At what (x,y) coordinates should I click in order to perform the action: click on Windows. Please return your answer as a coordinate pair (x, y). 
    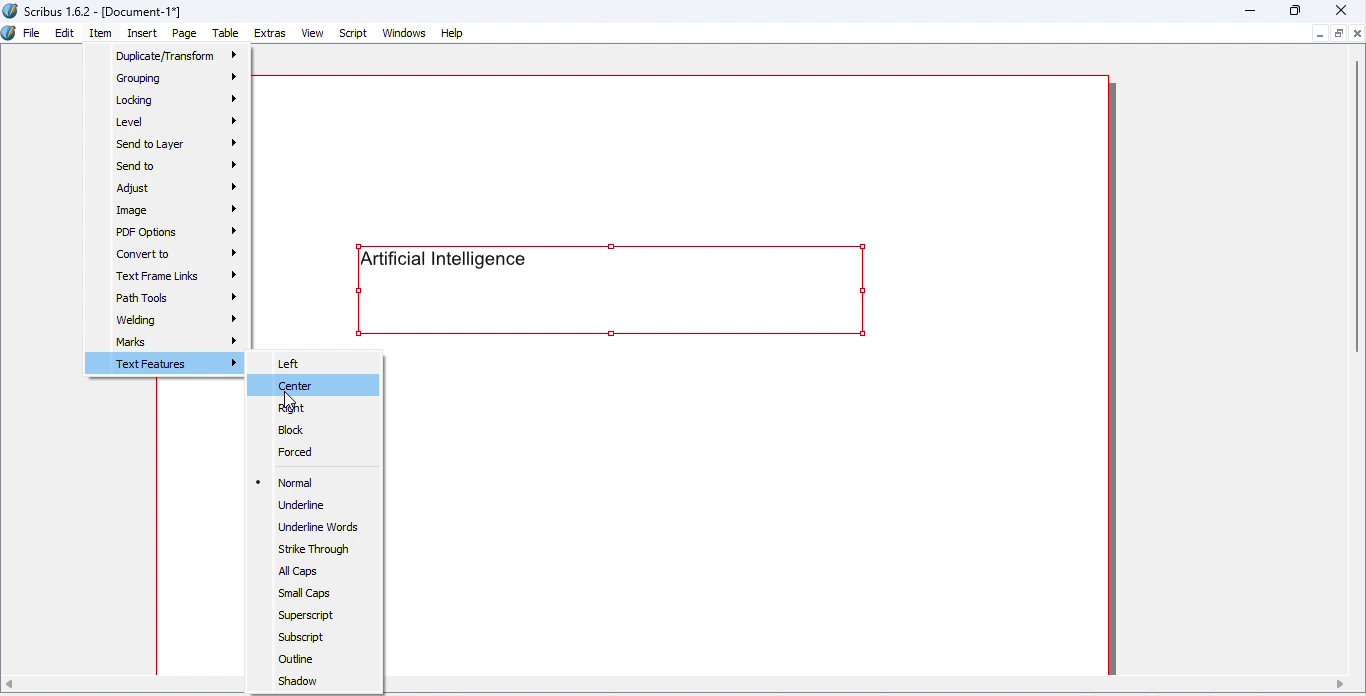
    Looking at the image, I should click on (407, 33).